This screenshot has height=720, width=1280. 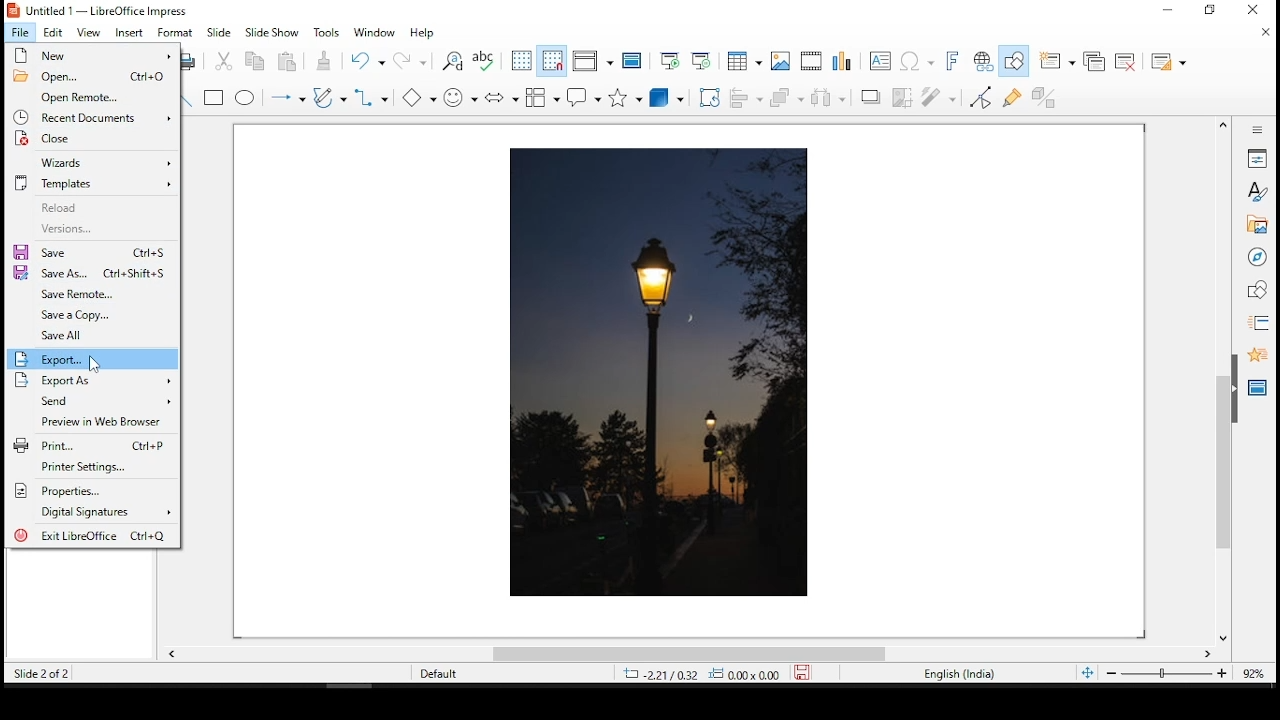 What do you see at coordinates (287, 61) in the screenshot?
I see `paste` at bounding box center [287, 61].